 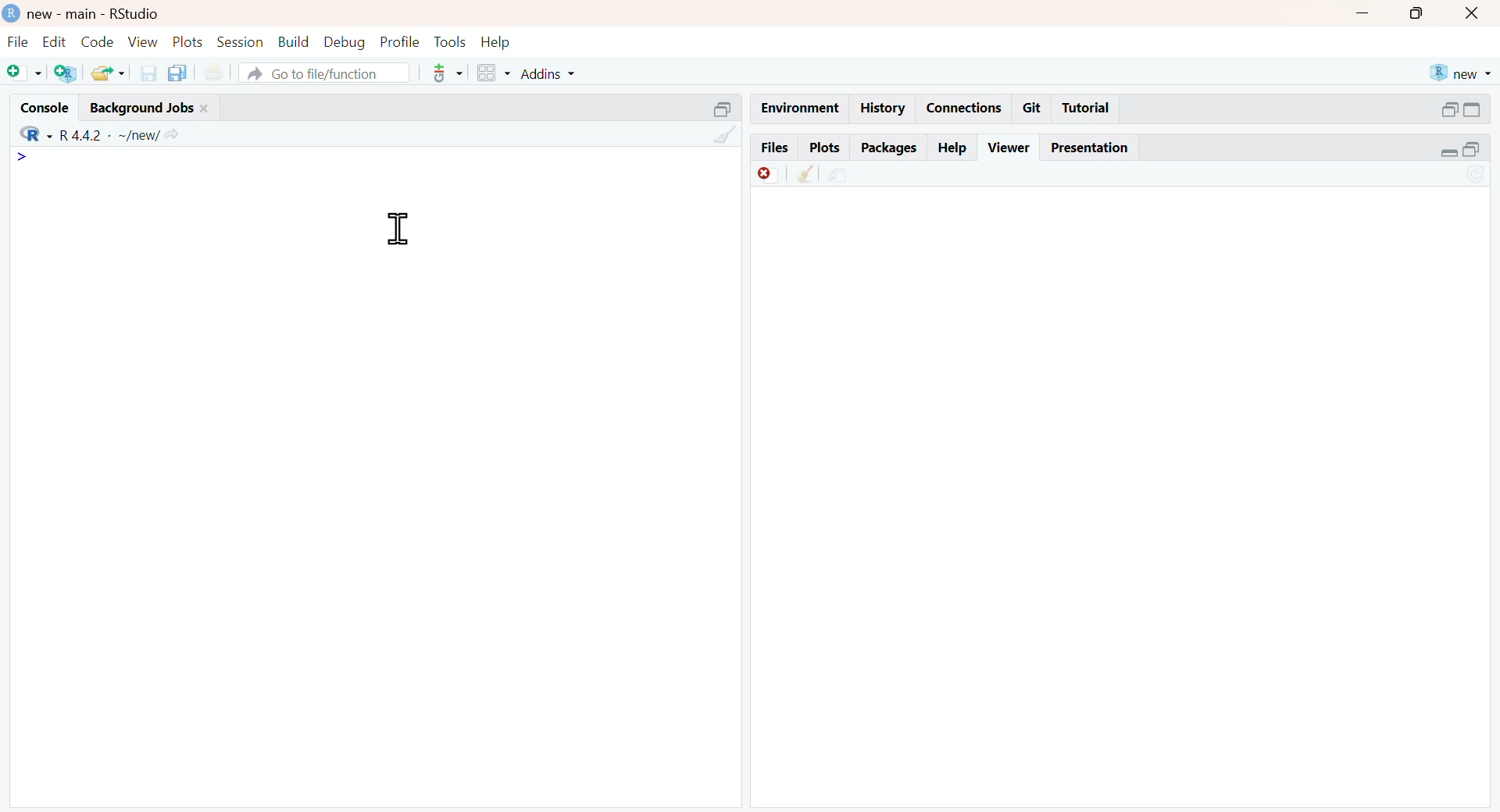 What do you see at coordinates (109, 72) in the screenshot?
I see `Open file` at bounding box center [109, 72].